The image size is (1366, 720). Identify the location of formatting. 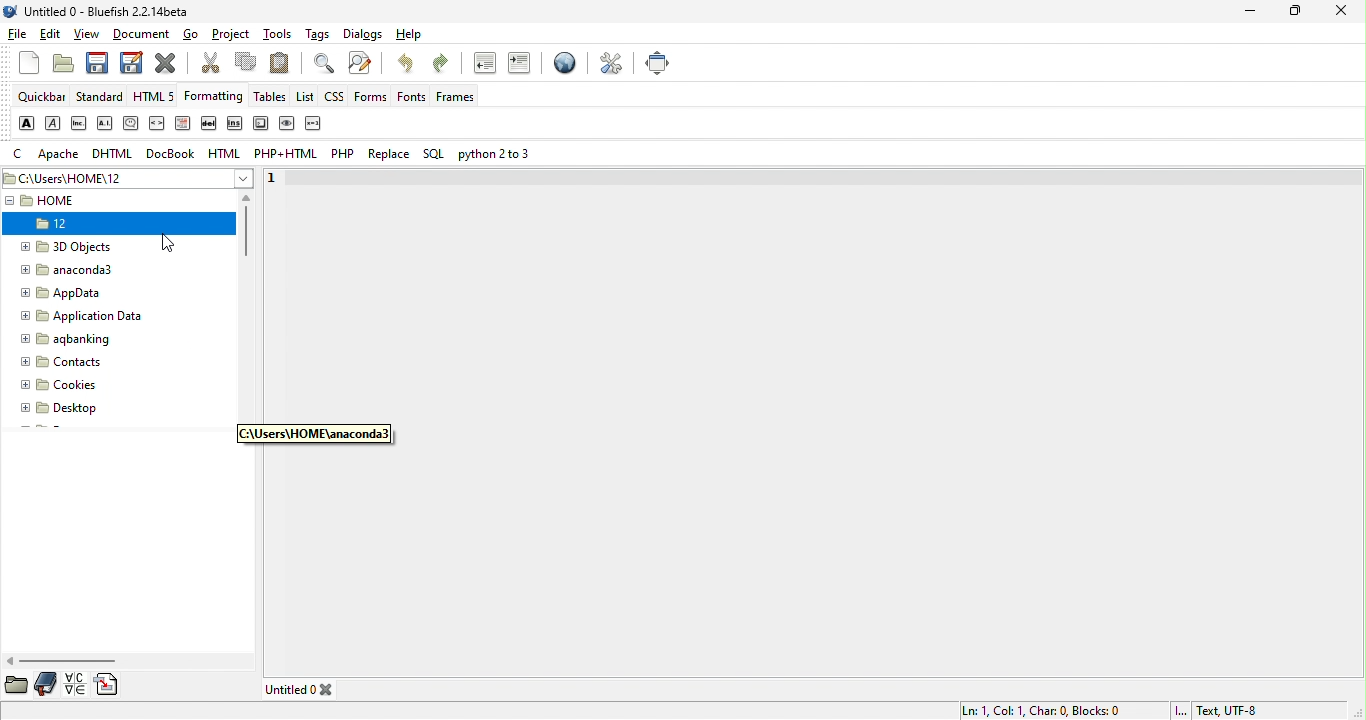
(212, 96).